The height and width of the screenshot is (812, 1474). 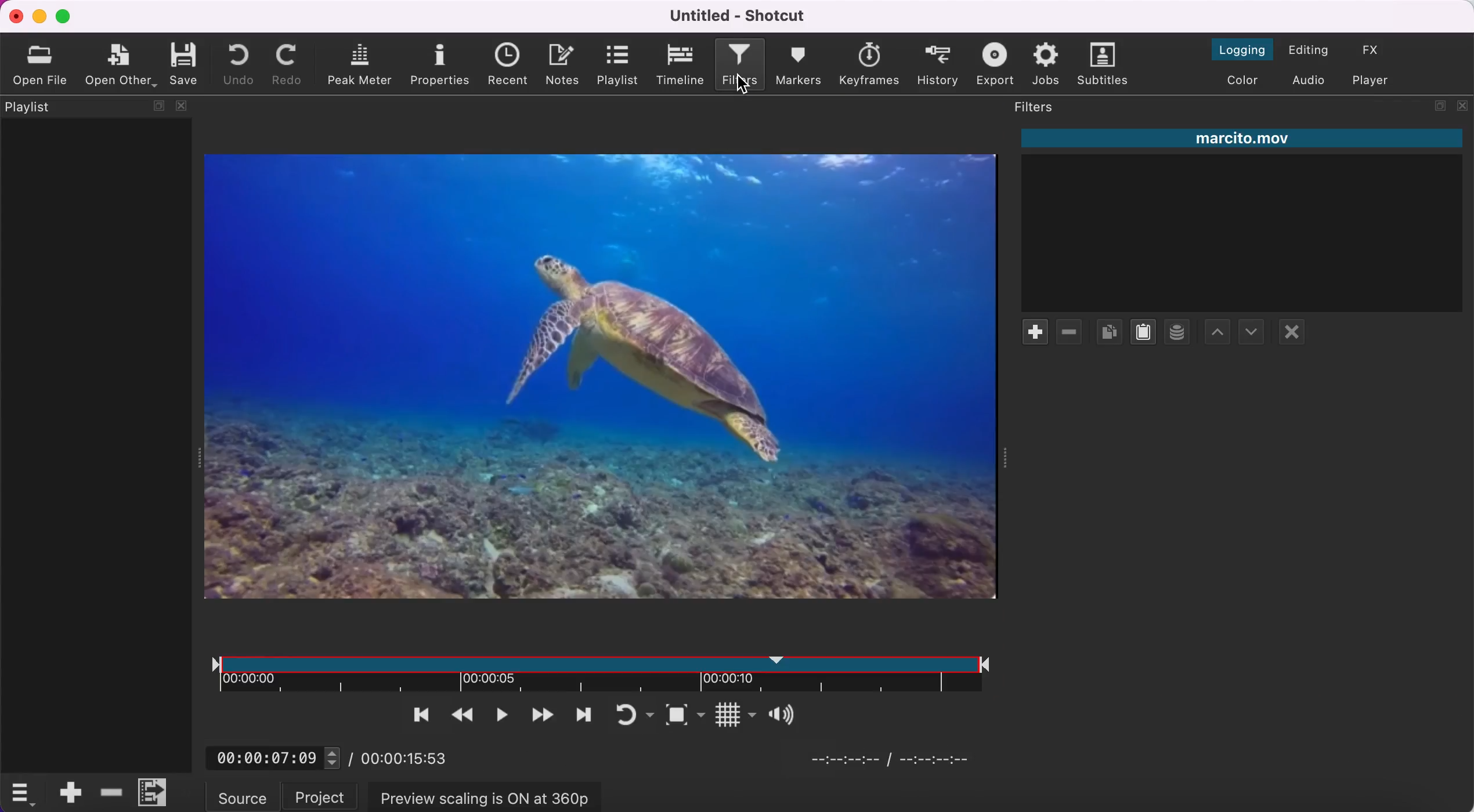 What do you see at coordinates (1240, 139) in the screenshot?
I see `marcito.mov` at bounding box center [1240, 139].